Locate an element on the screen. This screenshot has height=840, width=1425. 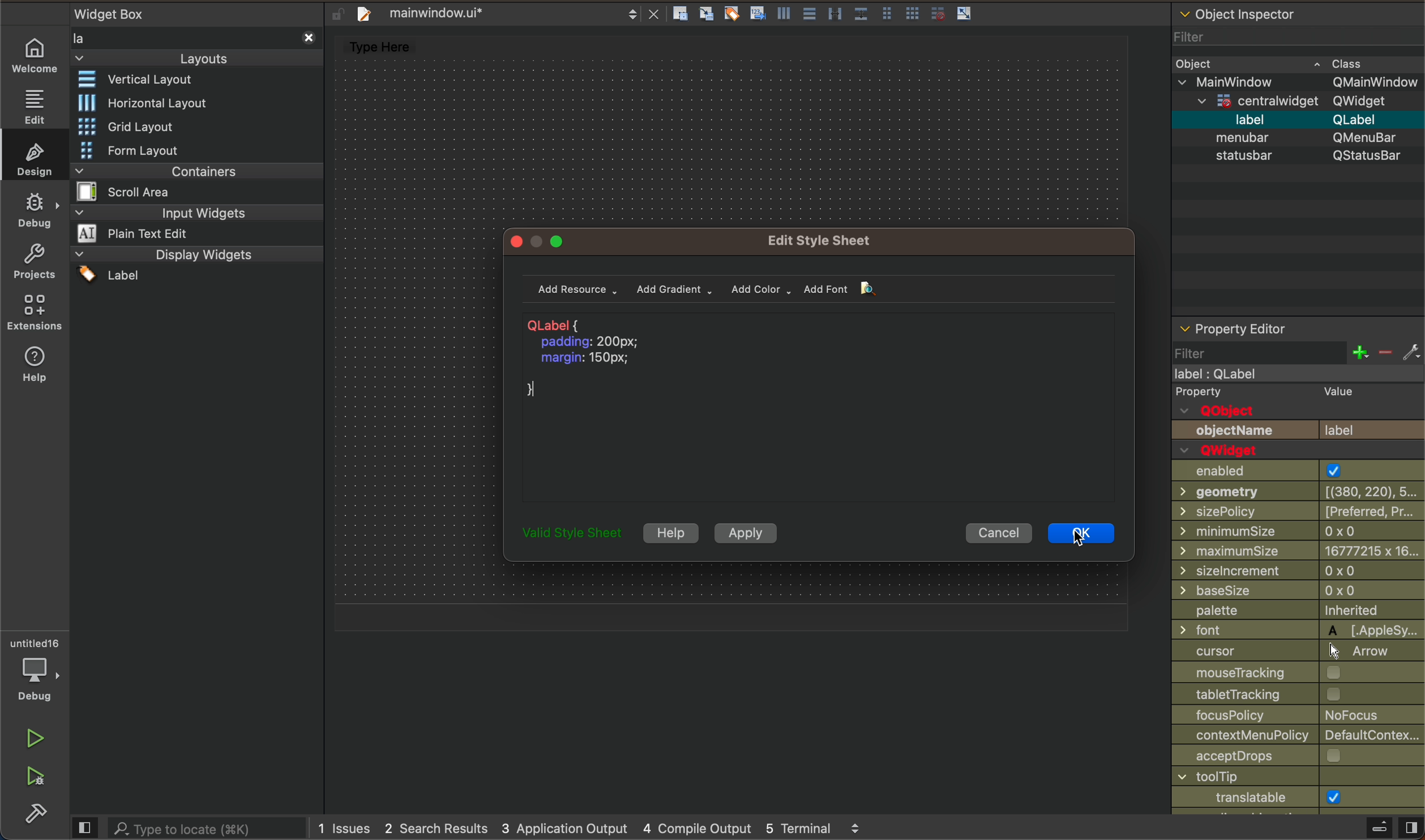
 is located at coordinates (1298, 591).